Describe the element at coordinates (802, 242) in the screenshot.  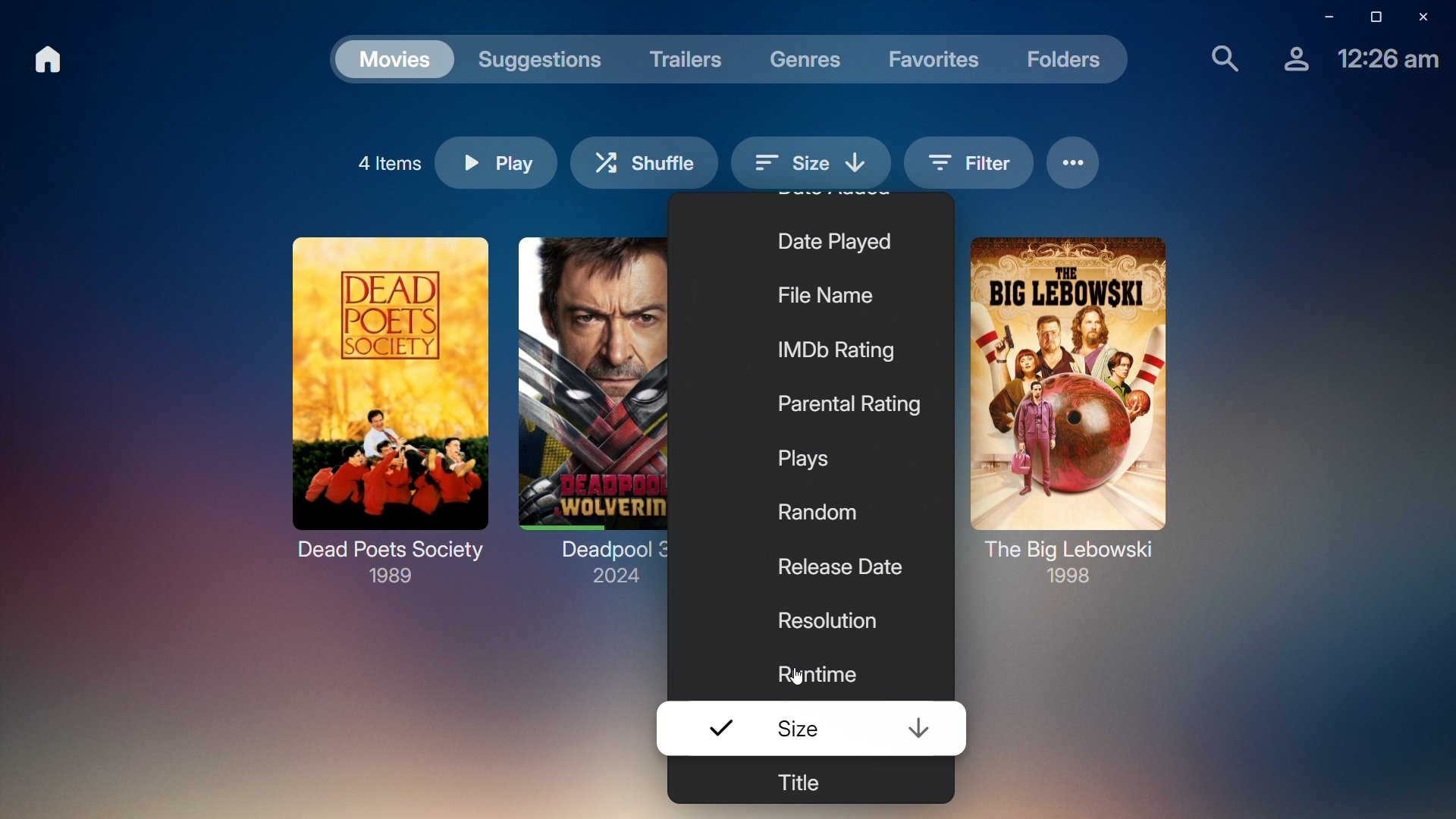
I see `Date Played` at that location.